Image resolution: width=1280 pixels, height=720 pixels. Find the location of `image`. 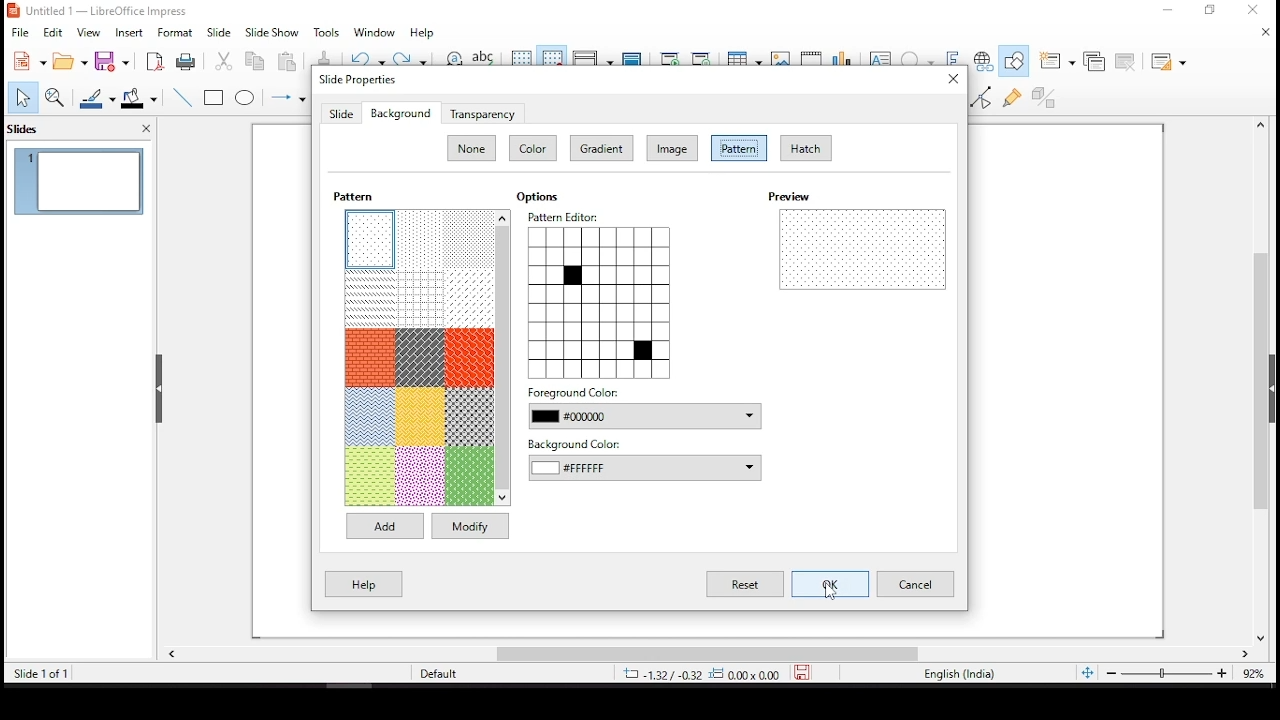

image is located at coordinates (672, 147).